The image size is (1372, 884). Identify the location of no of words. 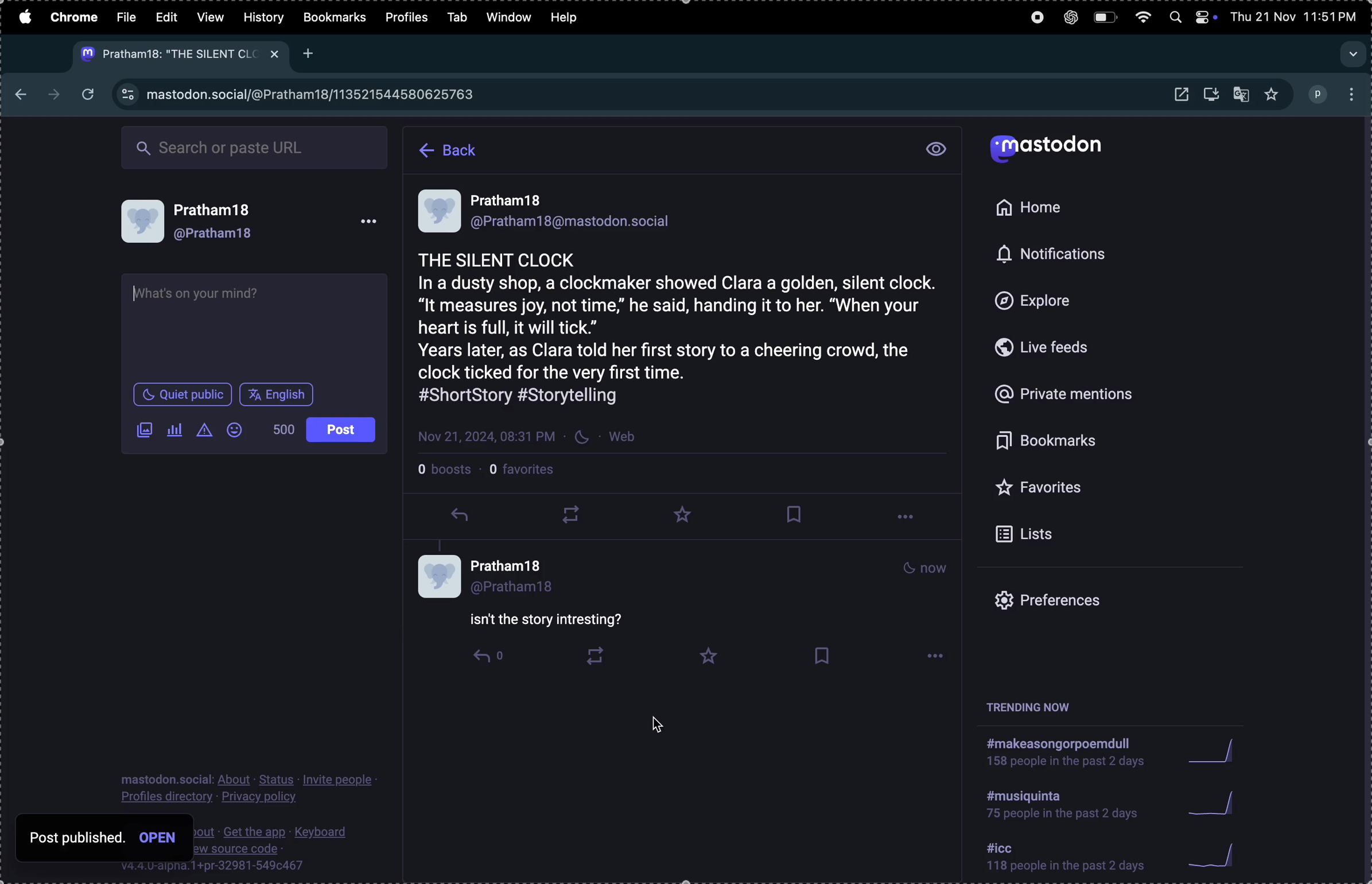
(278, 429).